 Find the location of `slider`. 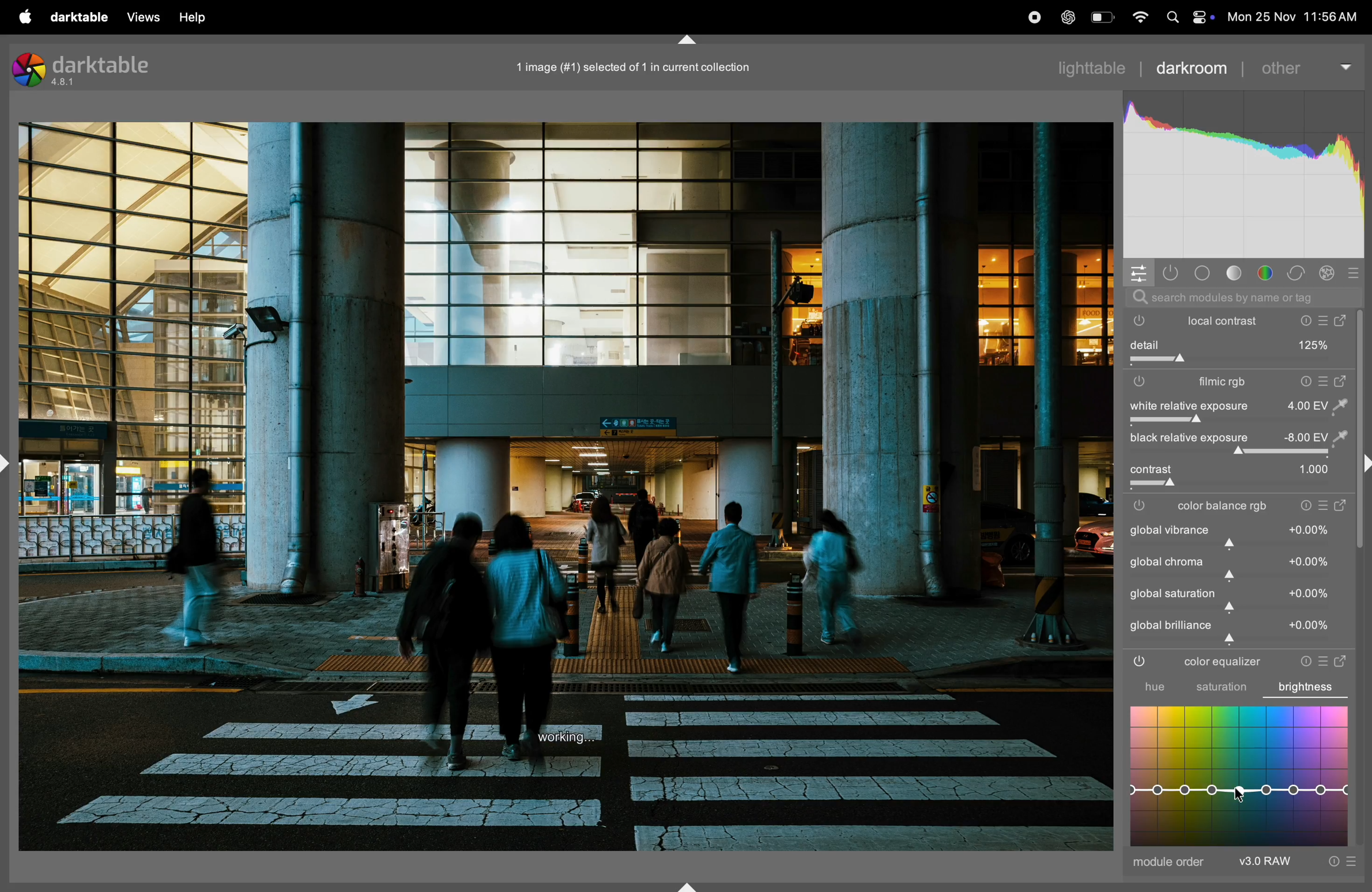

slider is located at coordinates (1242, 577).